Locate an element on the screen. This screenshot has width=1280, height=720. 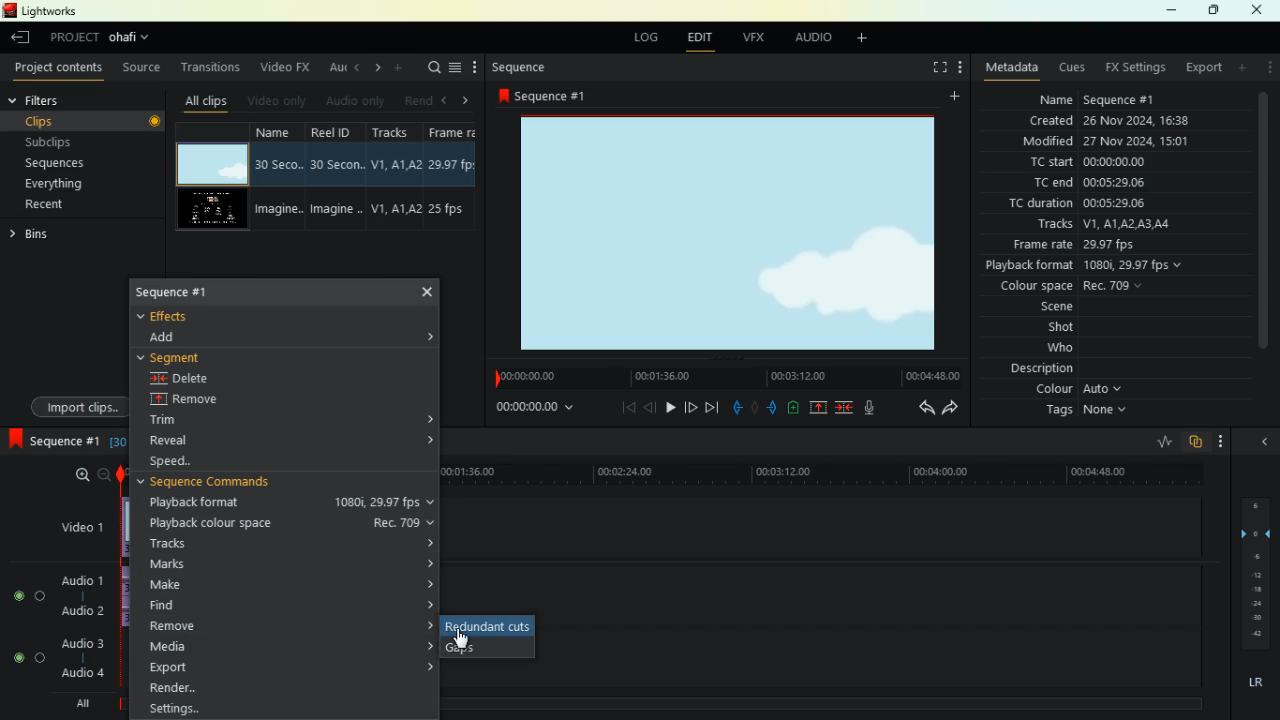
everything is located at coordinates (54, 184).